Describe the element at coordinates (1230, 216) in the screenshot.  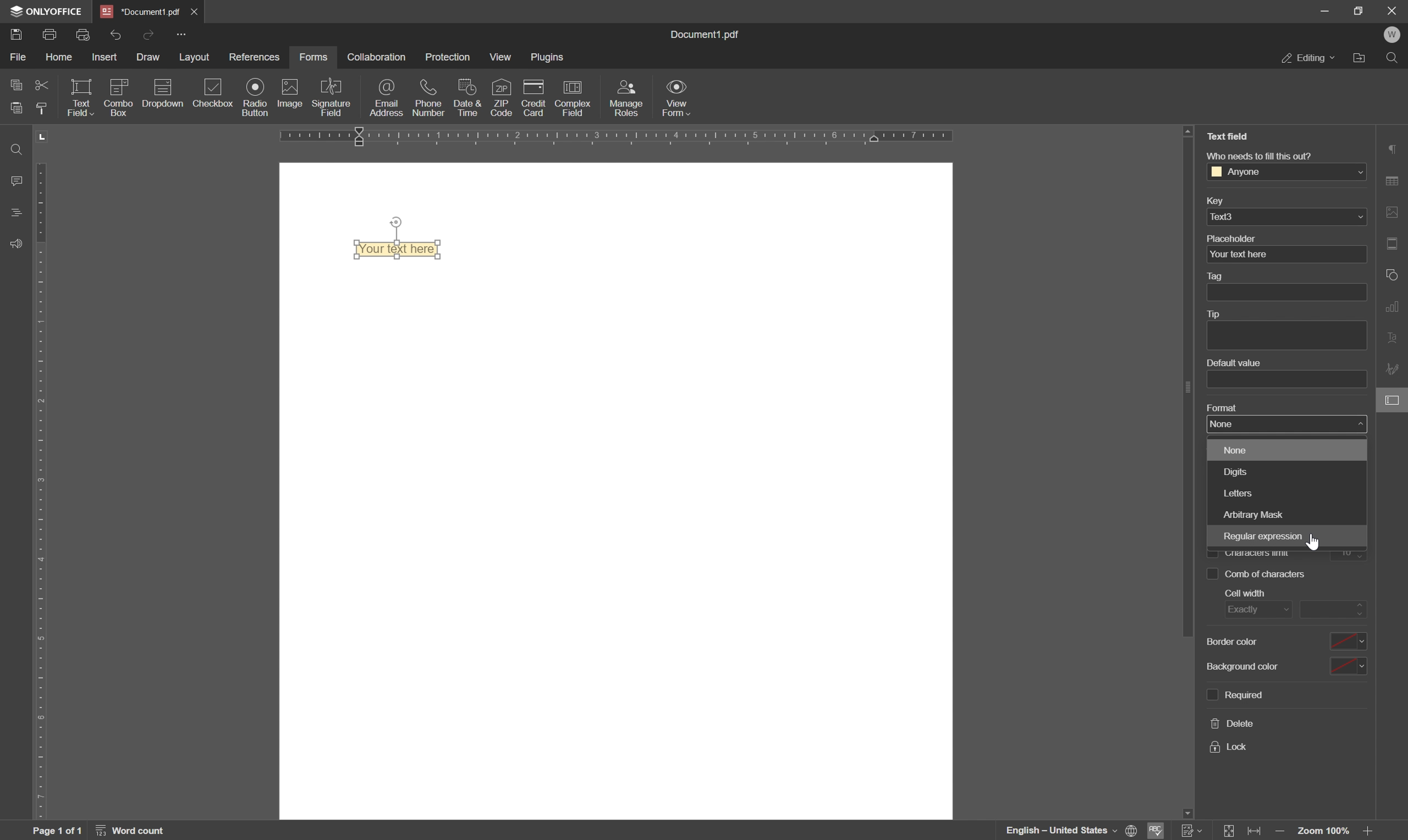
I see `text3` at that location.